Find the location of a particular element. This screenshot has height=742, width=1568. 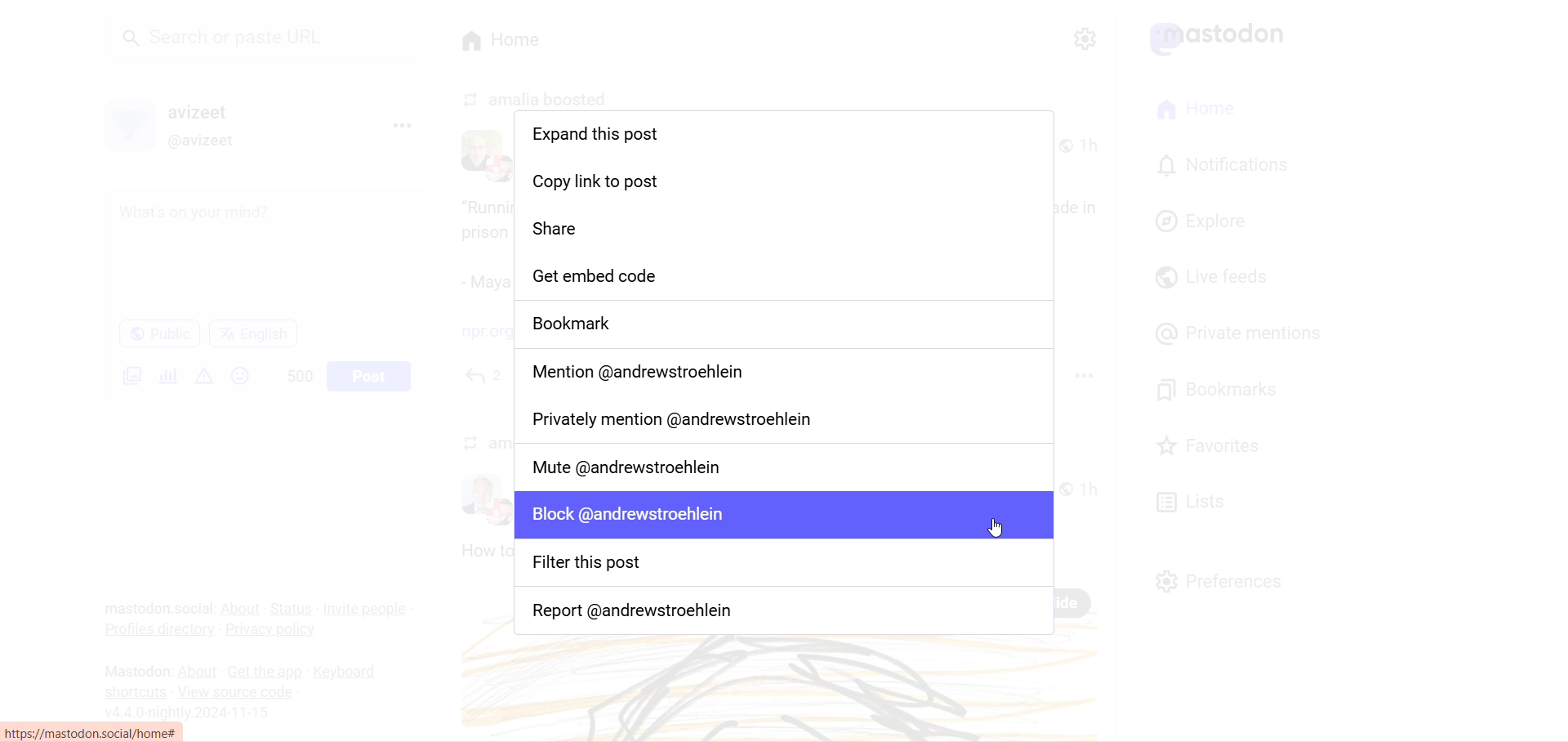

Mention user is located at coordinates (788, 371).